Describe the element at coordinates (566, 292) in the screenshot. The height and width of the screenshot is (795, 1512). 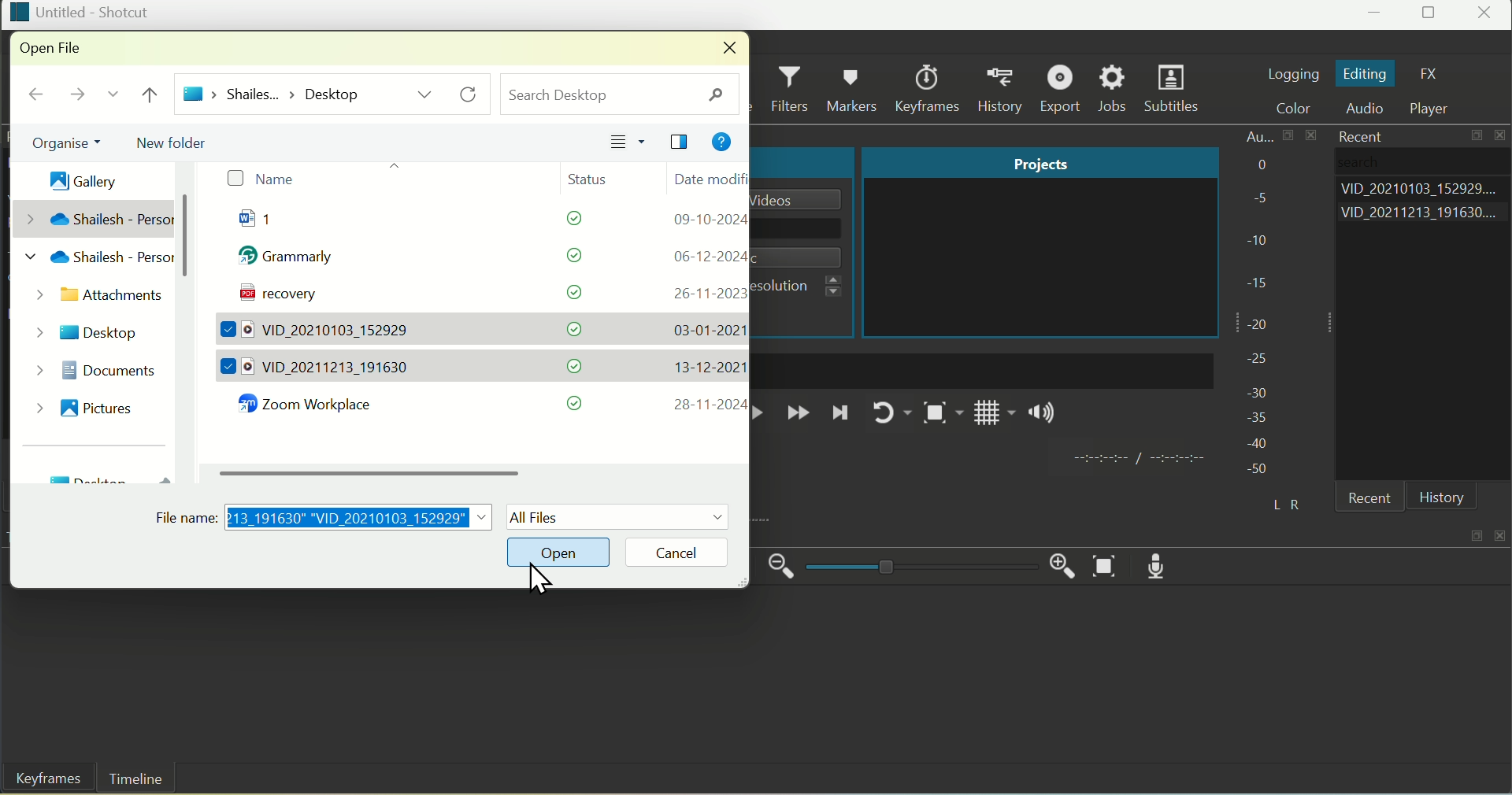
I see `status` at that location.